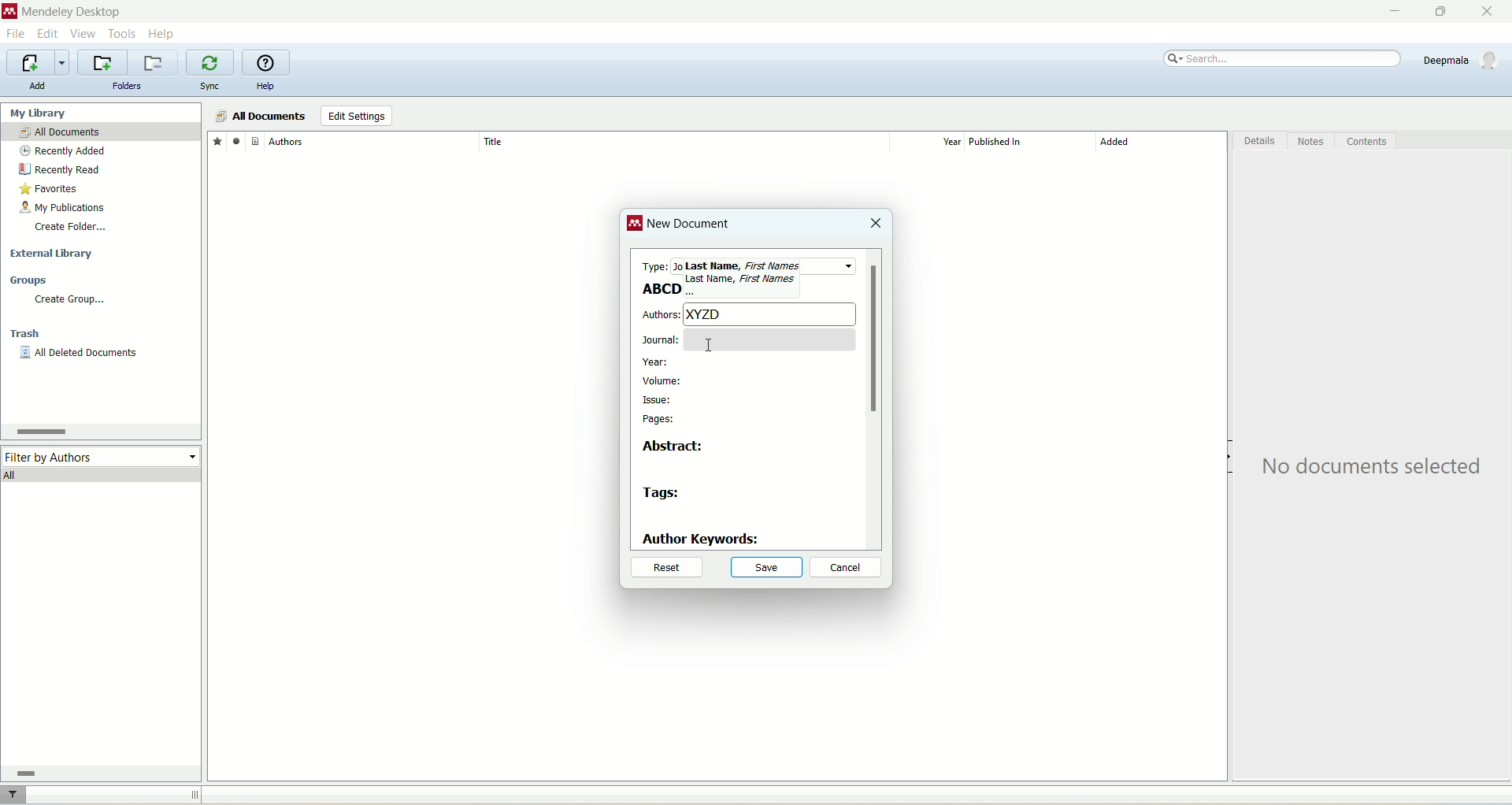 This screenshot has width=1512, height=805. What do you see at coordinates (771, 315) in the screenshot?
I see `XYZD` at bounding box center [771, 315].